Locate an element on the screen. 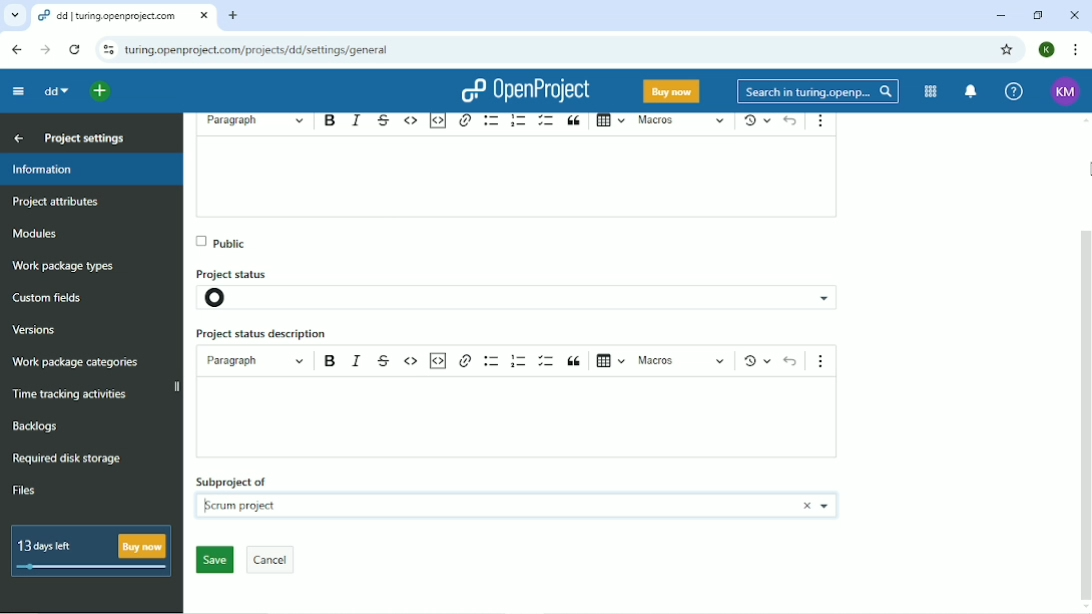 This screenshot has height=614, width=1092. dd is located at coordinates (55, 91).